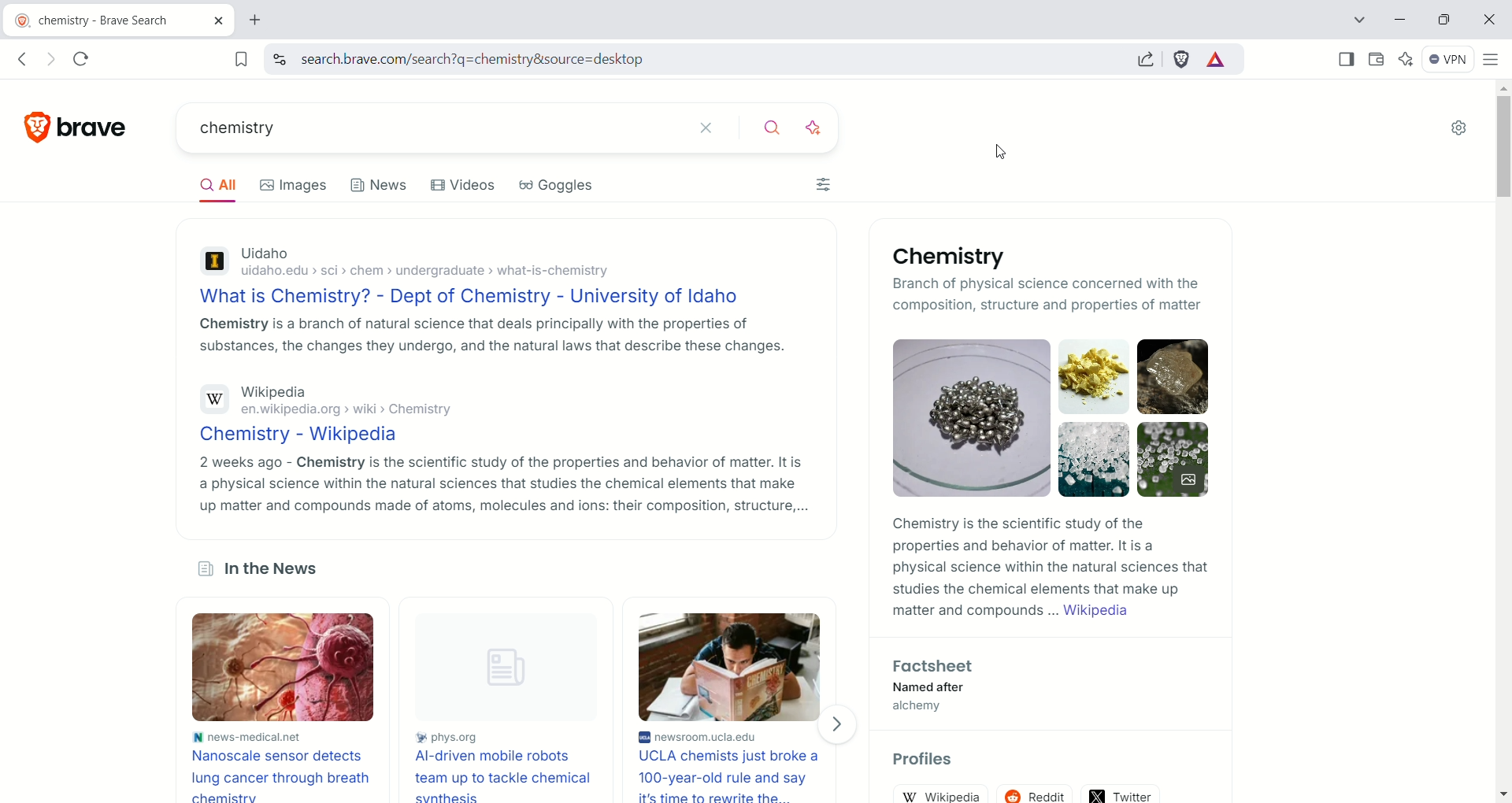 The height and width of the screenshot is (803, 1512). Describe the element at coordinates (1051, 418) in the screenshot. I see `Images of chemical compounds` at that location.